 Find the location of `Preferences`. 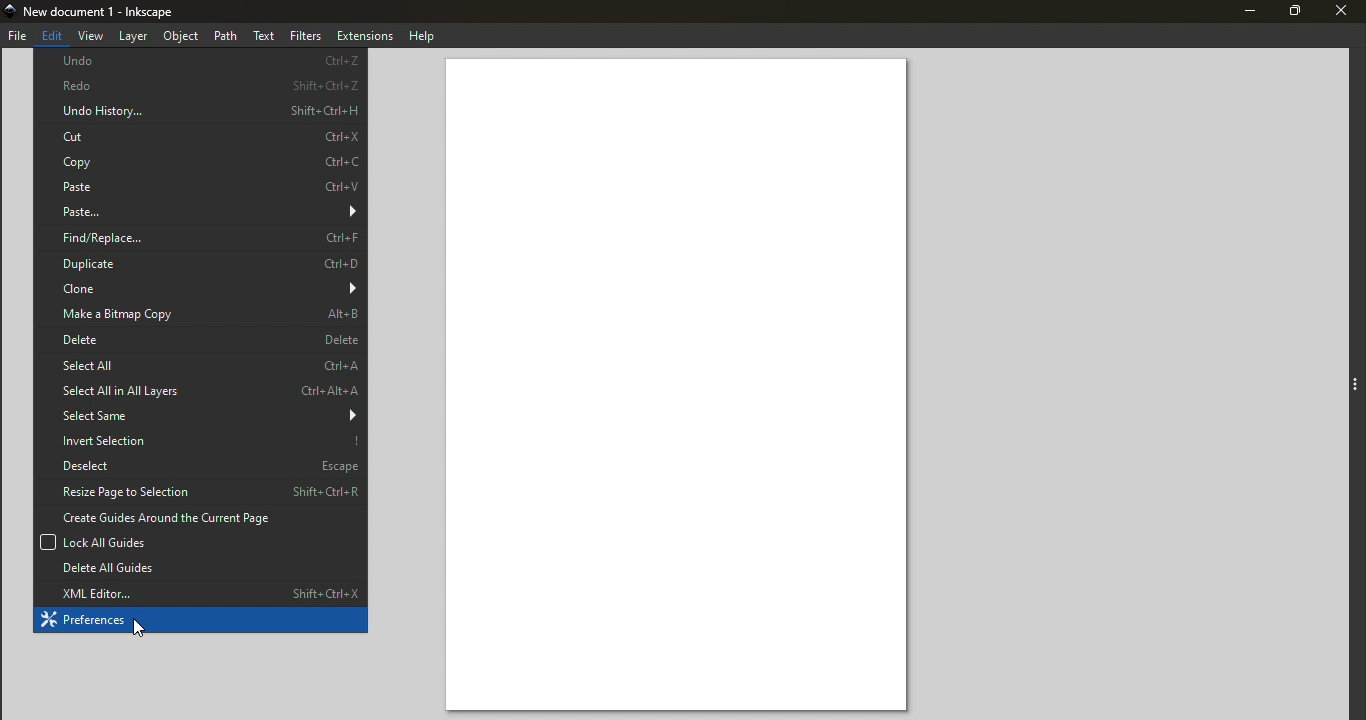

Preferences is located at coordinates (200, 622).